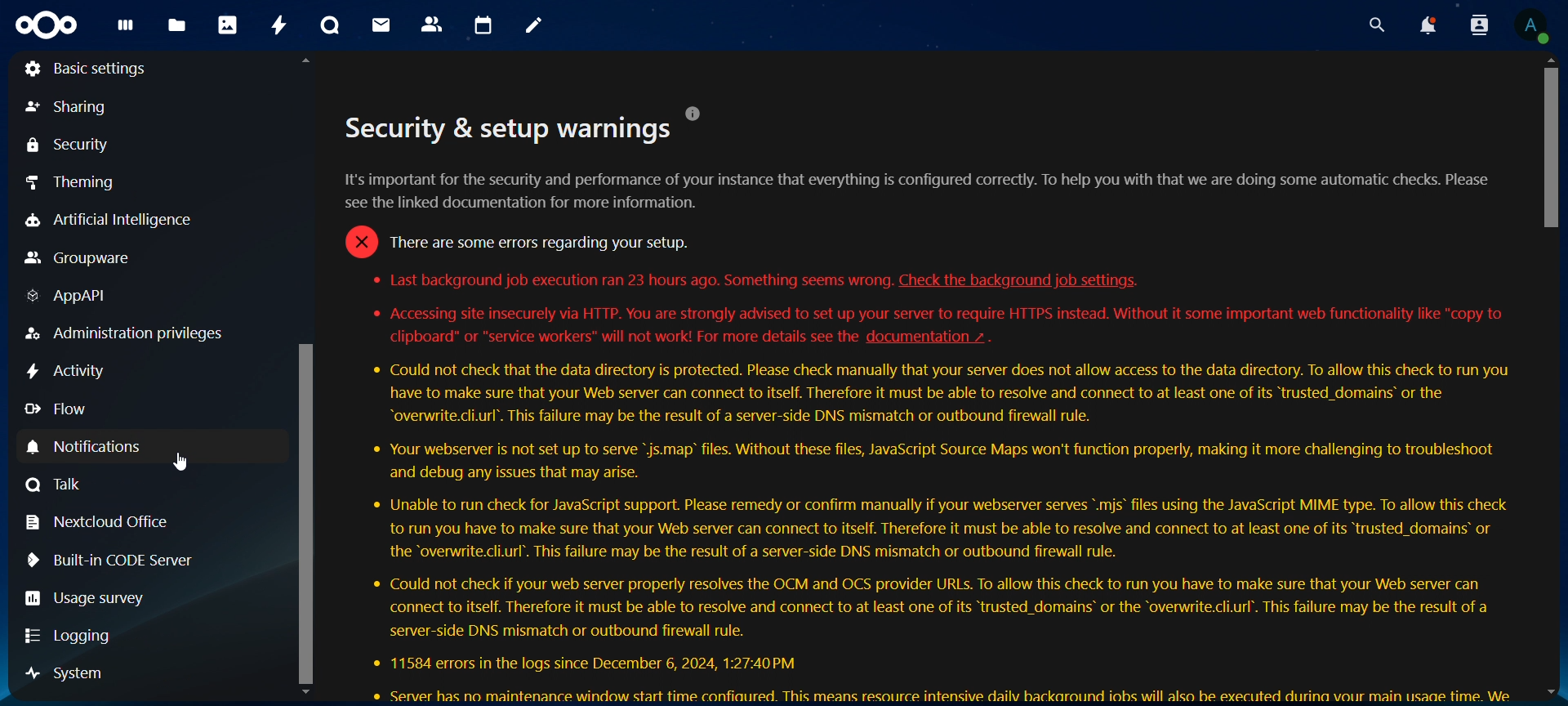 The height and width of the screenshot is (706, 1568). Describe the element at coordinates (109, 521) in the screenshot. I see `nextcloud office` at that location.